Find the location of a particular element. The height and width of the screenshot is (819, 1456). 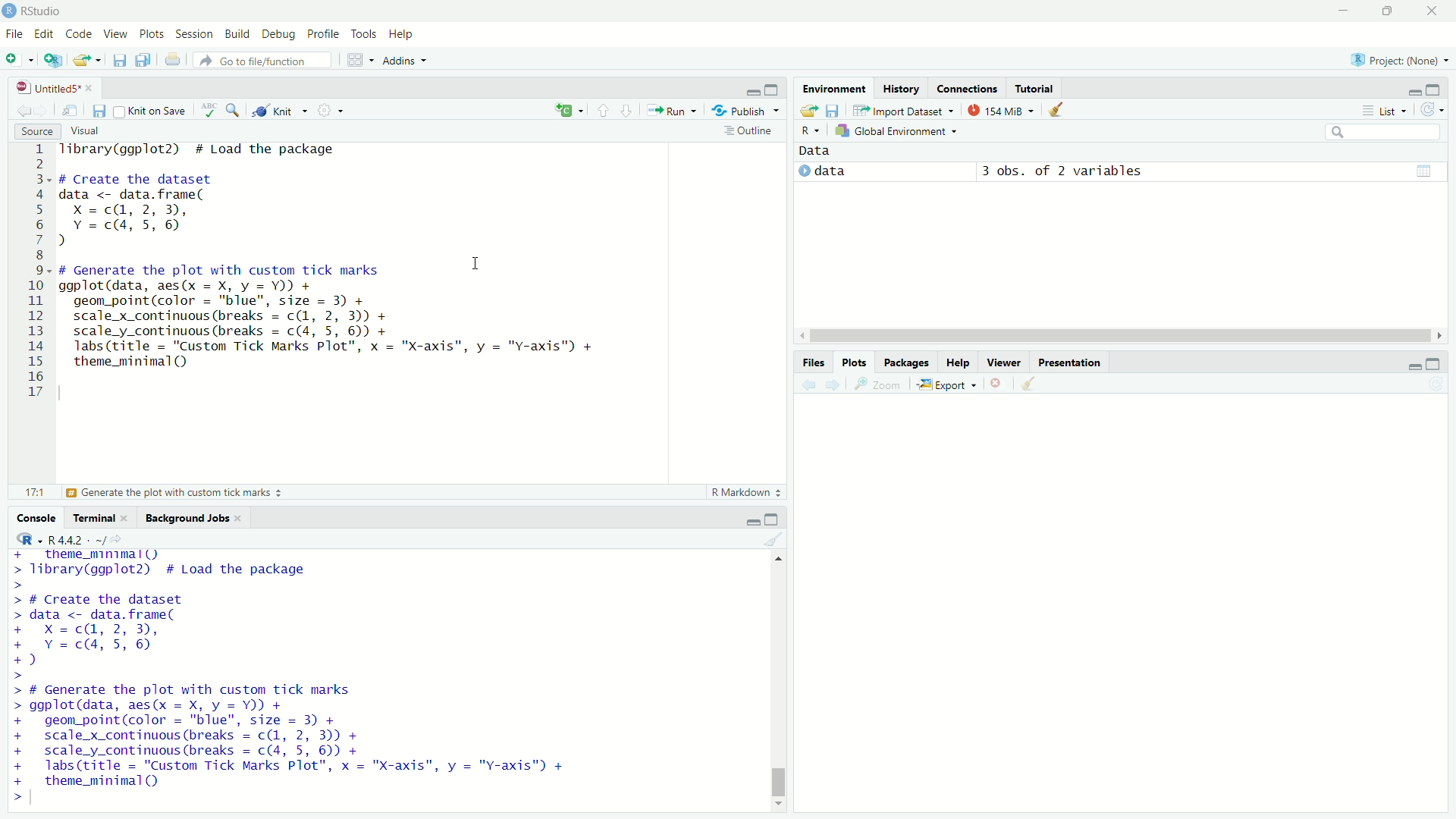

close is located at coordinates (243, 518).